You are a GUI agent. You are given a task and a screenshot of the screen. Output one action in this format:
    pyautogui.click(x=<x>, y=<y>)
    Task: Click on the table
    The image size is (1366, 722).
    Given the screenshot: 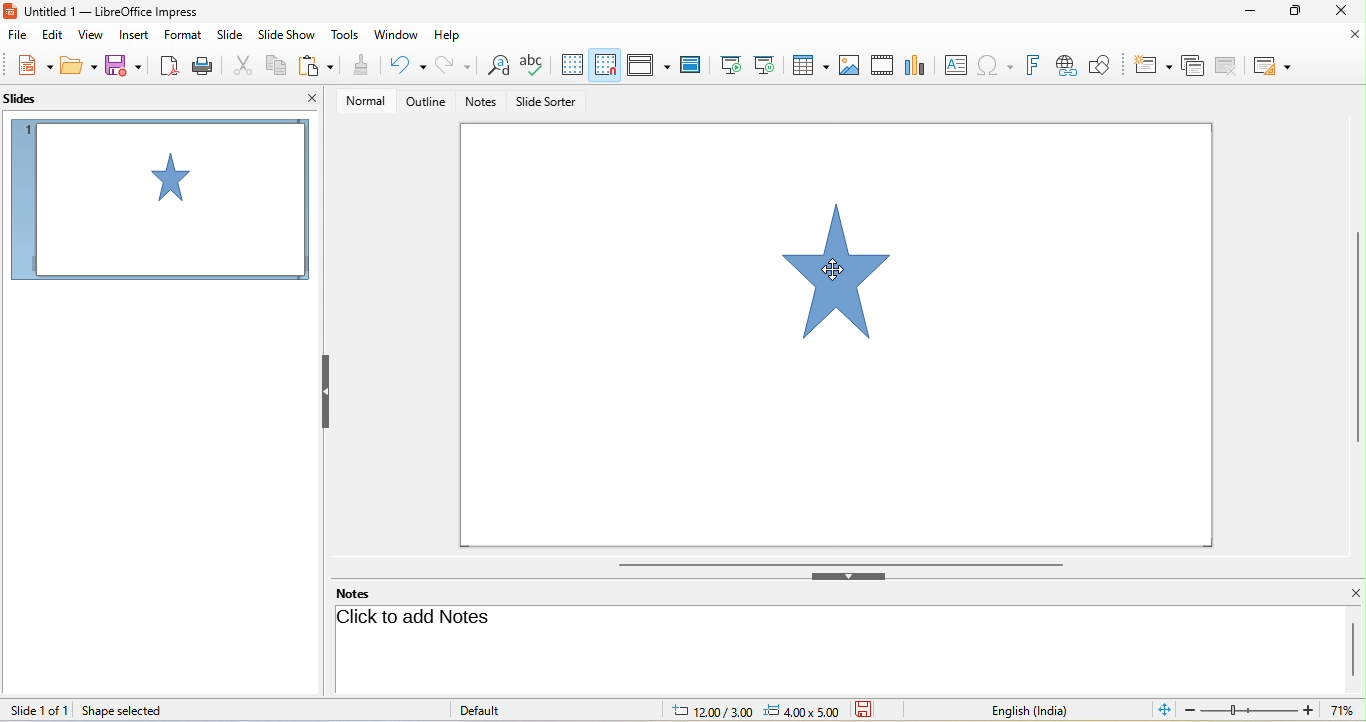 What is the action you would take?
    pyautogui.click(x=807, y=64)
    